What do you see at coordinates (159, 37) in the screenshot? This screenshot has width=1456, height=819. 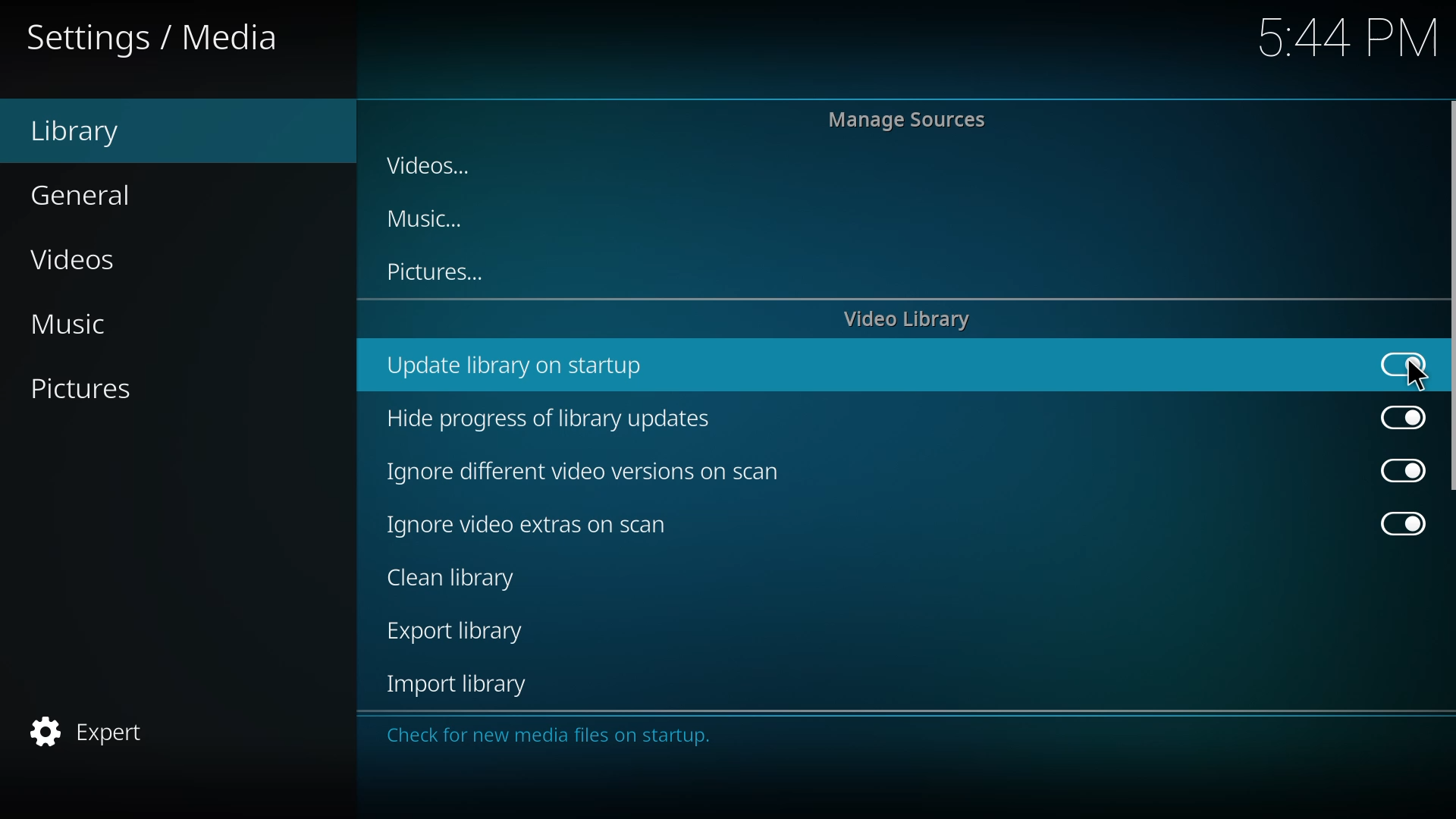 I see `settings media` at bounding box center [159, 37].